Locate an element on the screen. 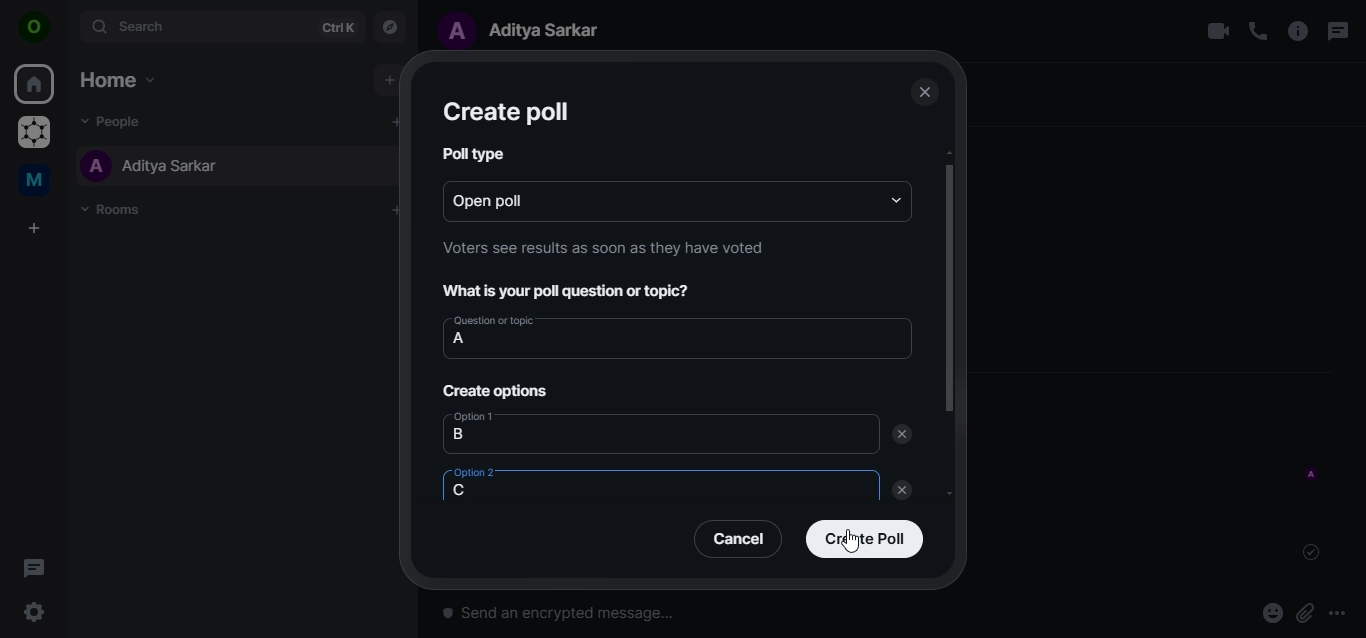 The width and height of the screenshot is (1366, 638). send an encrypted message is located at coordinates (669, 619).